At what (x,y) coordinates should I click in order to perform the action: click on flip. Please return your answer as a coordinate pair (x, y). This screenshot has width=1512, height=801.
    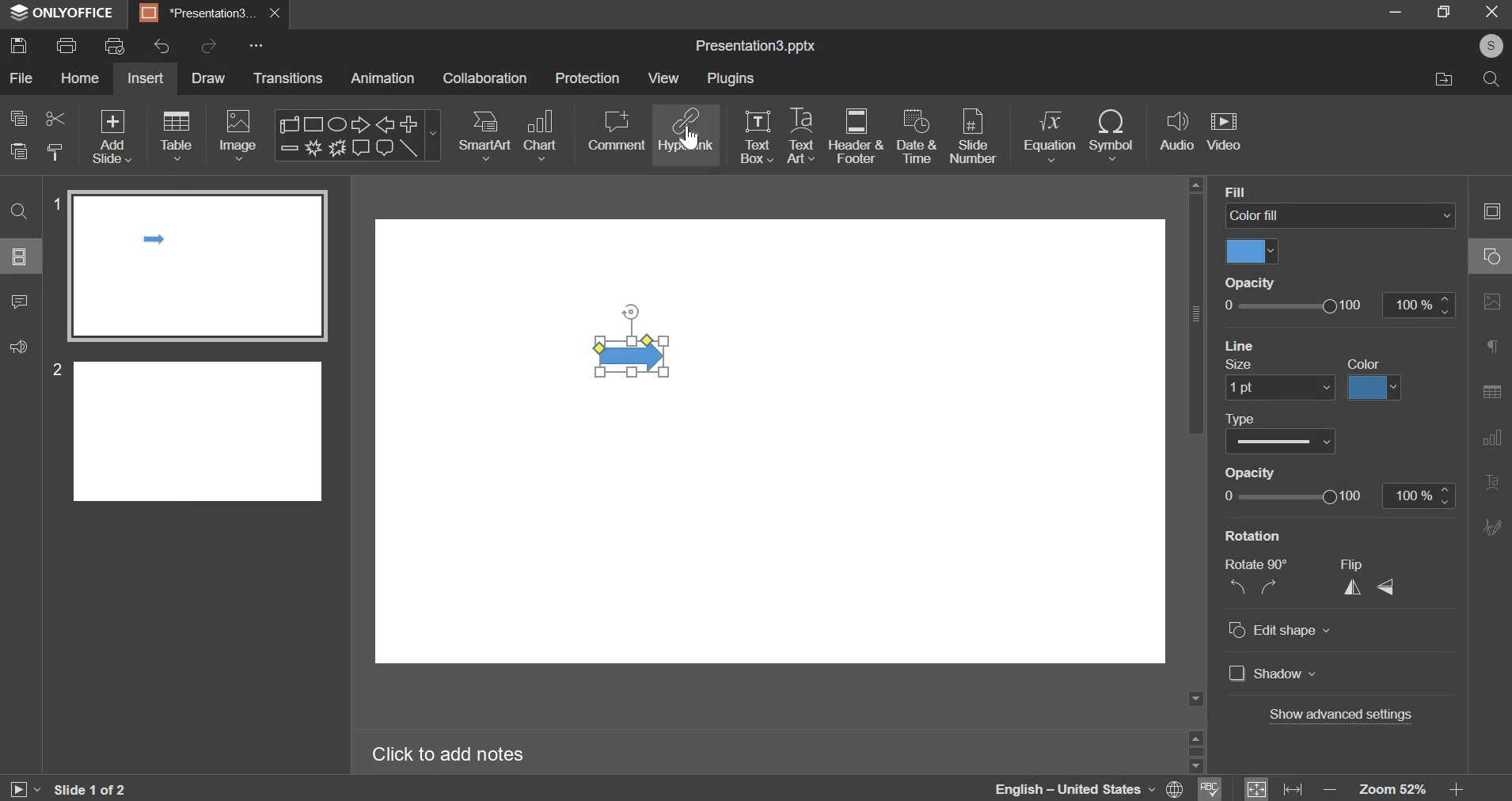
    Looking at the image, I should click on (1351, 565).